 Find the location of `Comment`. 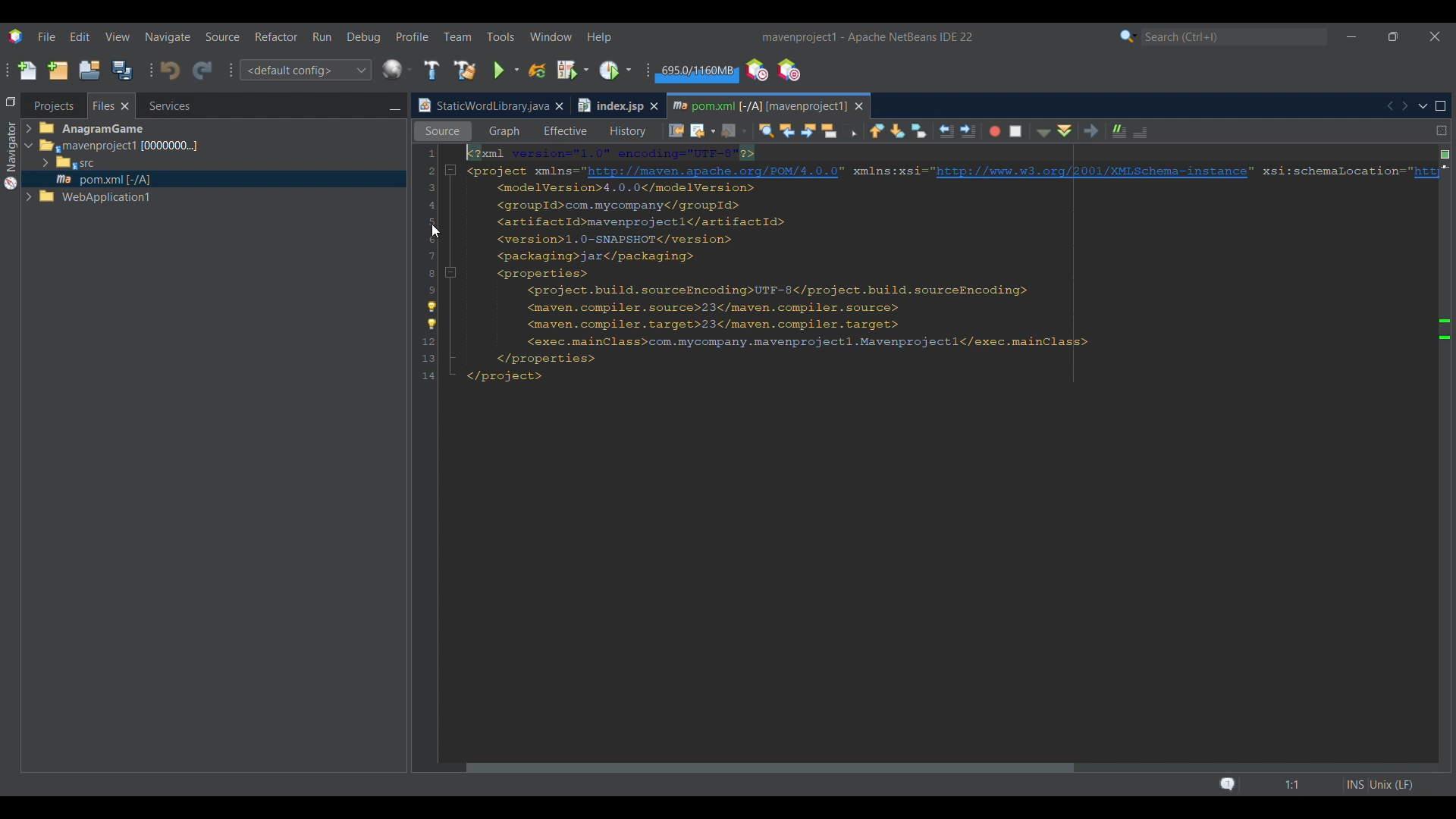

Comment is located at coordinates (1116, 129).